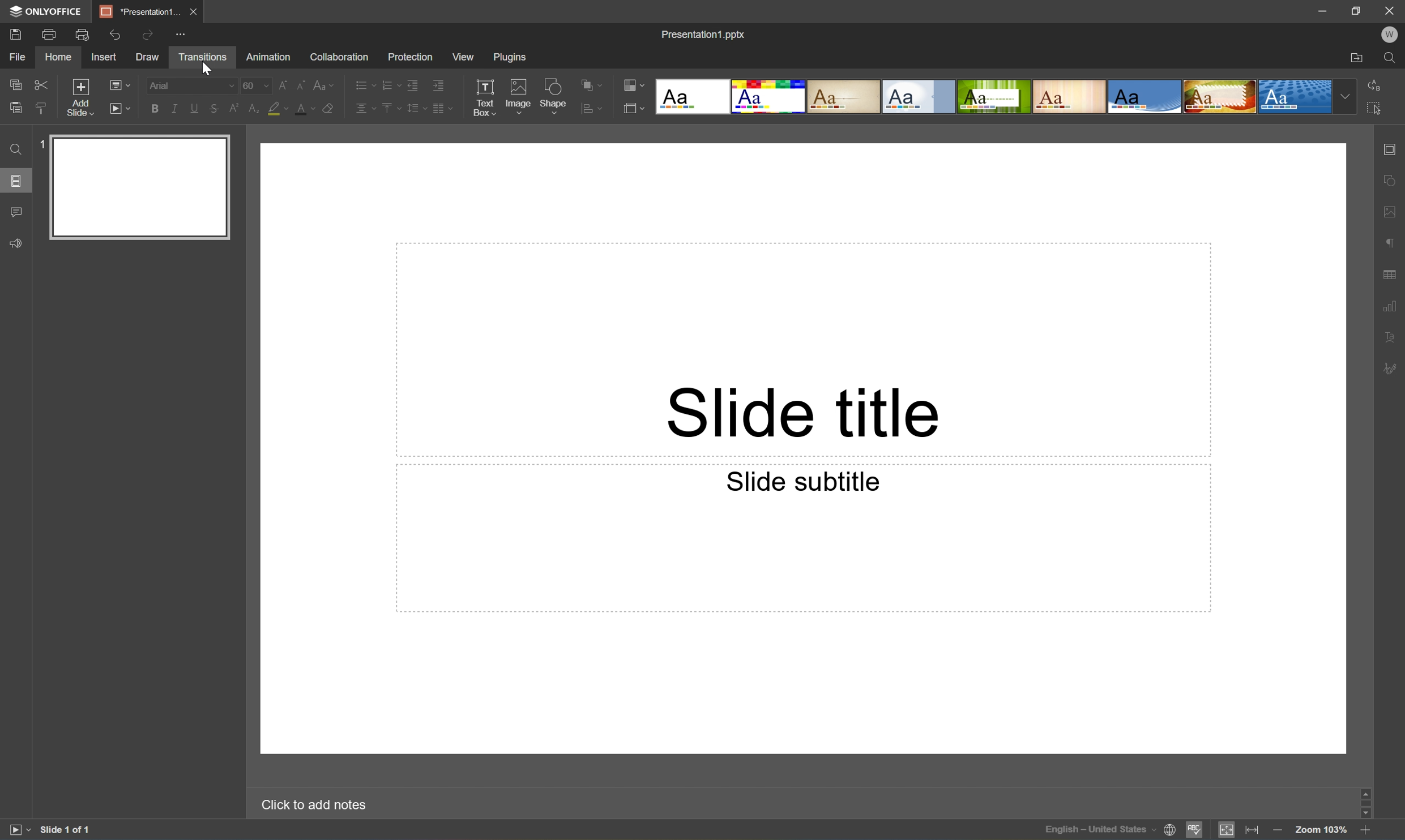  I want to click on Zoom out, so click(1278, 832).